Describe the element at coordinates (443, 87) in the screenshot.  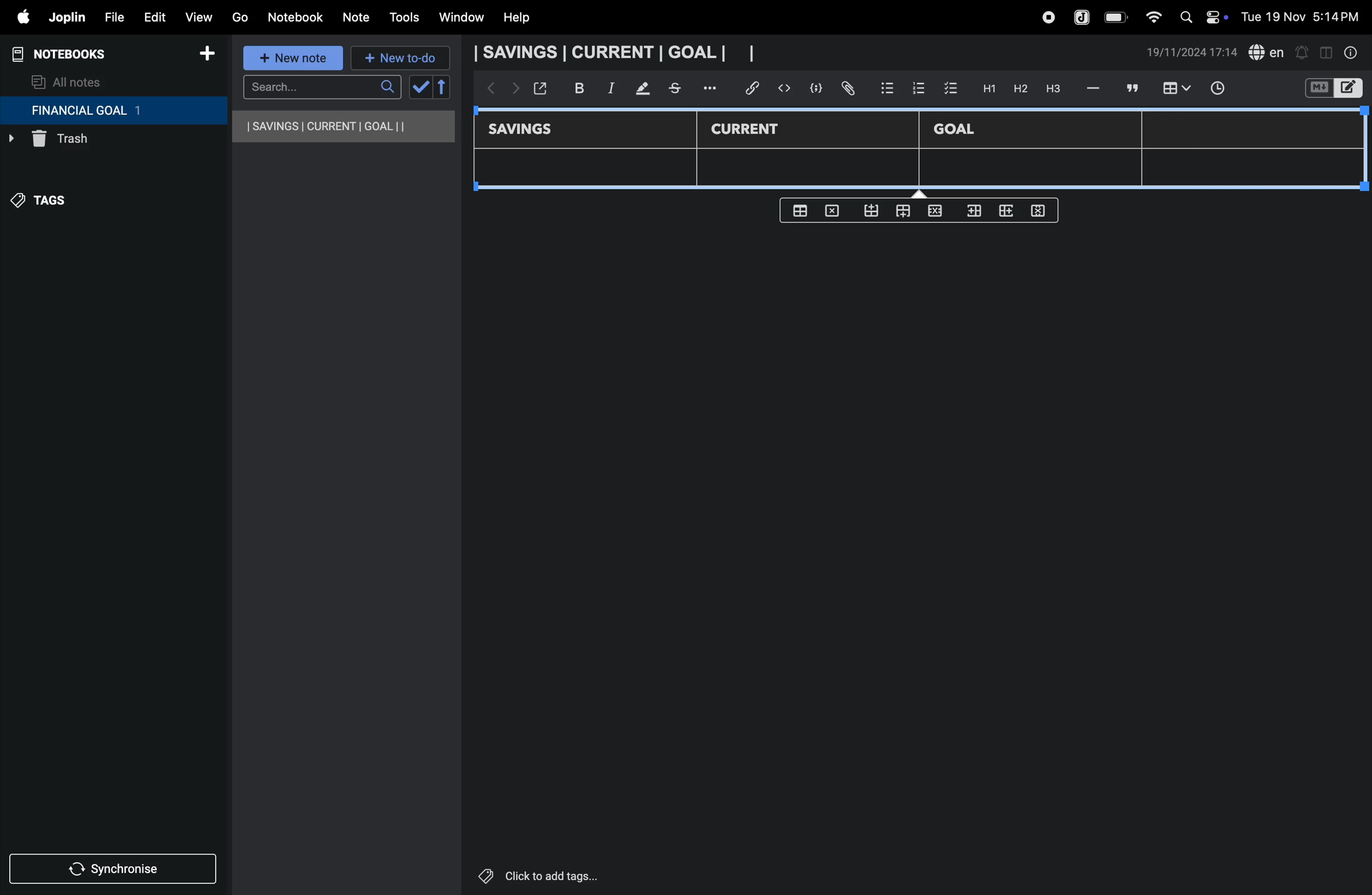
I see `reverse sort order` at that location.